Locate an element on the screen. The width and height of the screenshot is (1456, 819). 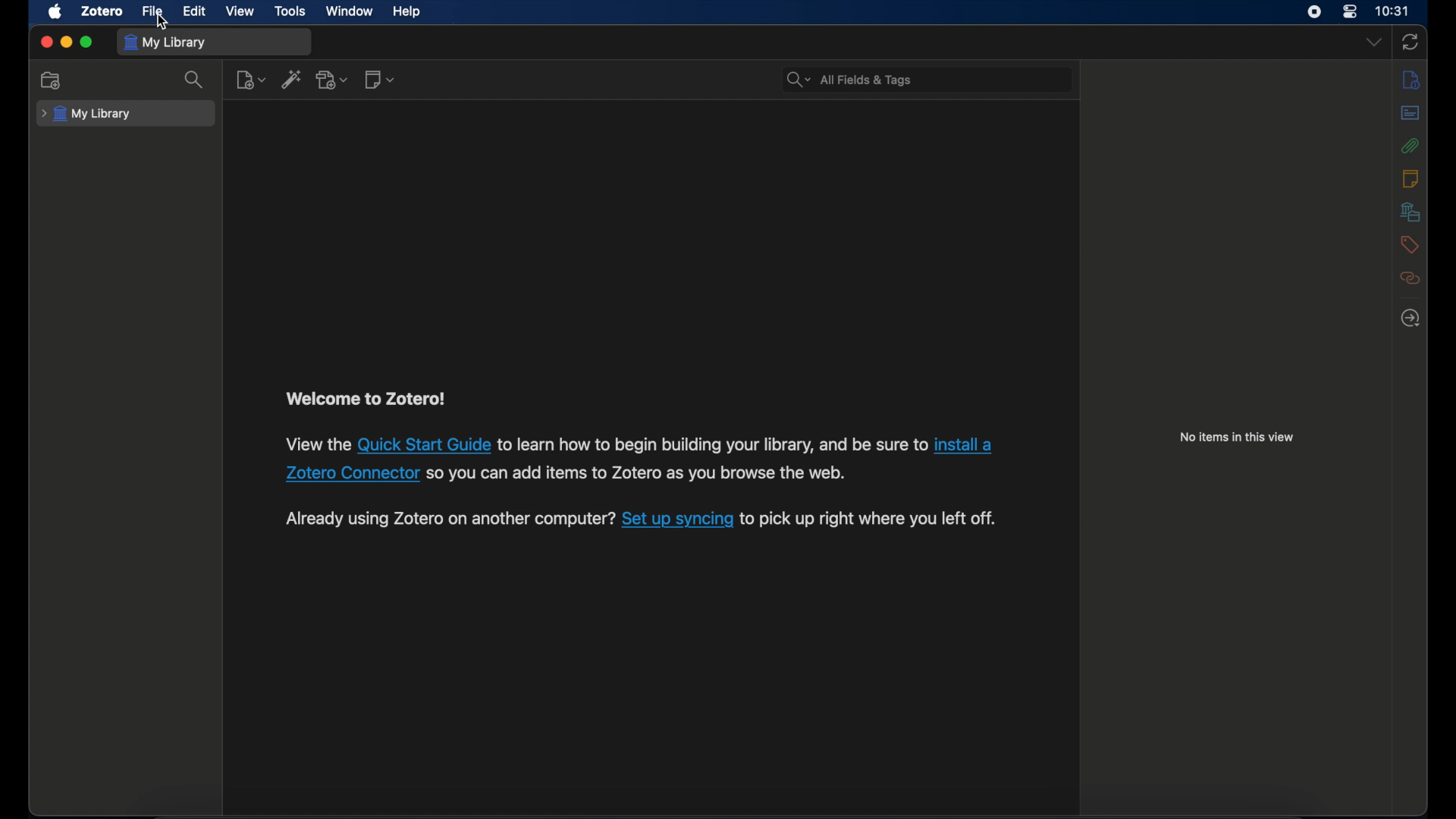
 is located at coordinates (677, 519).